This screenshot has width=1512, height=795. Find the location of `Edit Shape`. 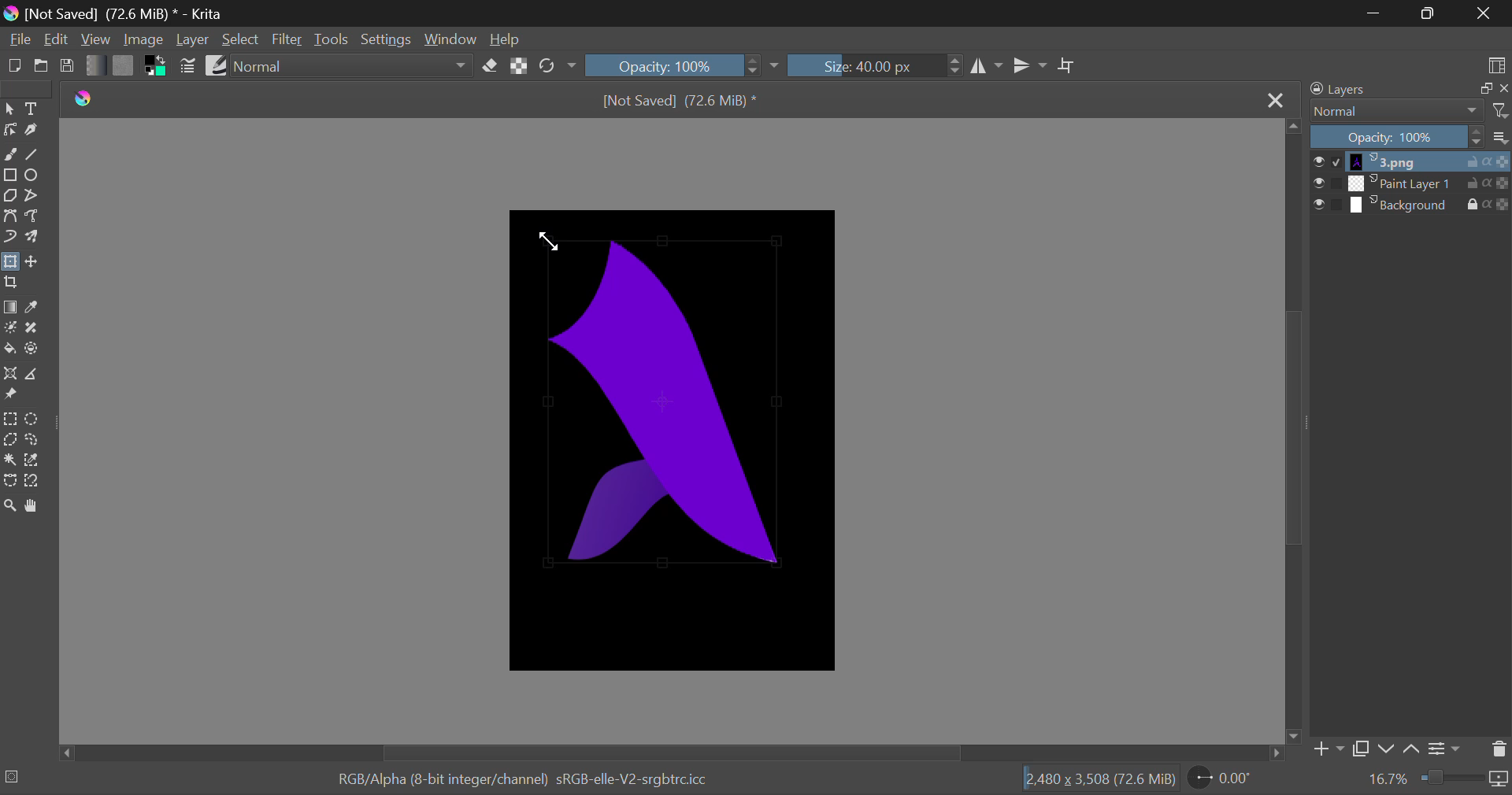

Edit Shape is located at coordinates (10, 130).